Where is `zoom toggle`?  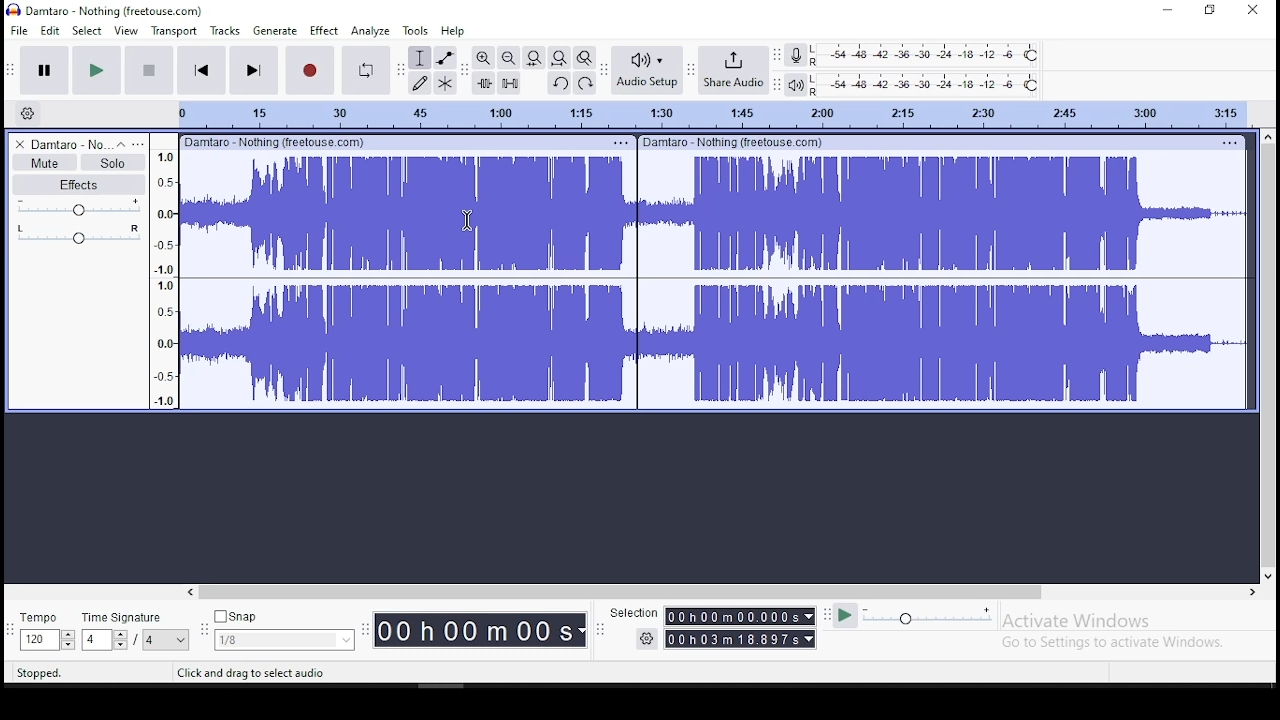 zoom toggle is located at coordinates (584, 58).